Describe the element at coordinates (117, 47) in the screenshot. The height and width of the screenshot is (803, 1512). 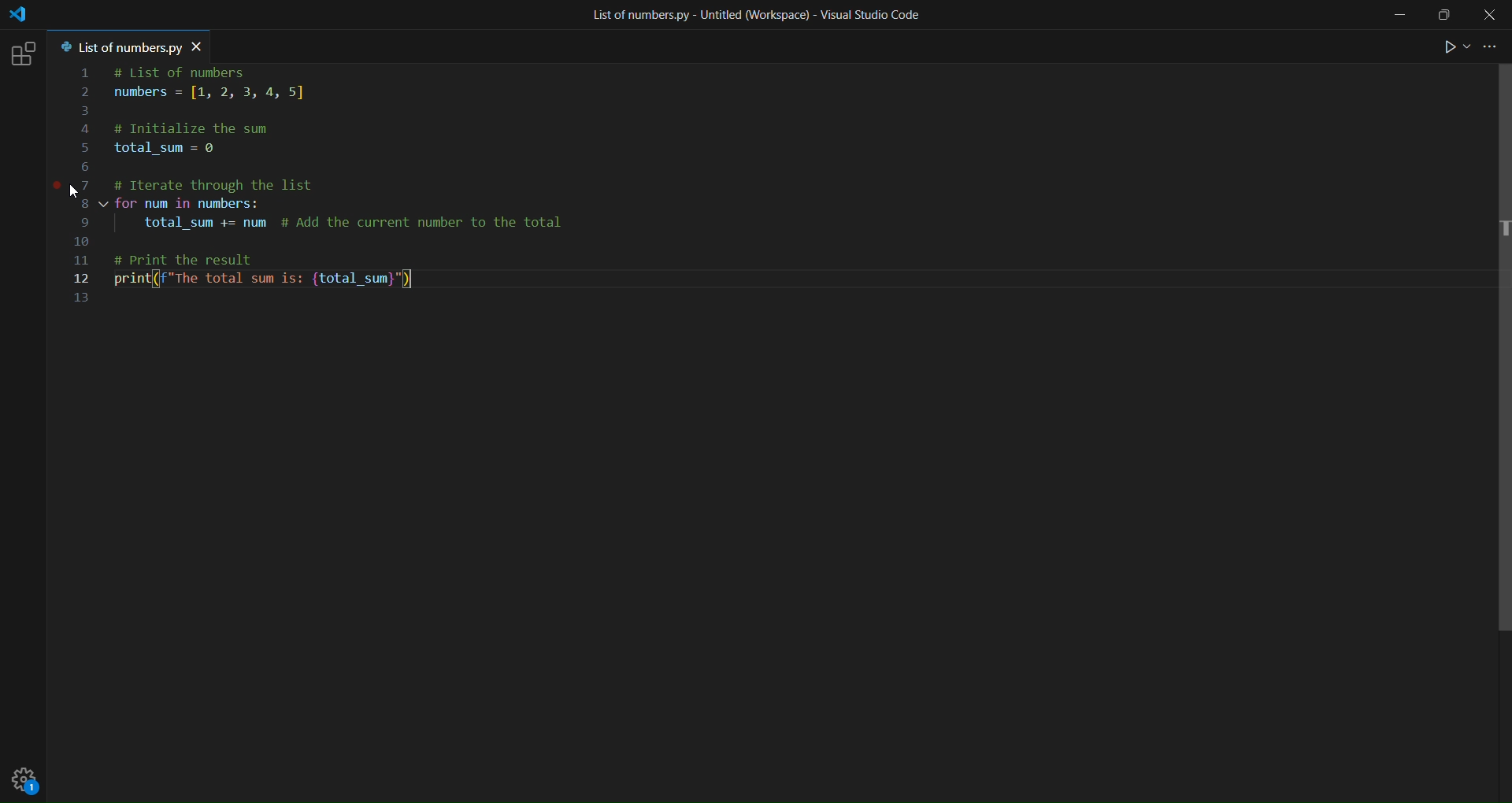
I see `tab name` at that location.